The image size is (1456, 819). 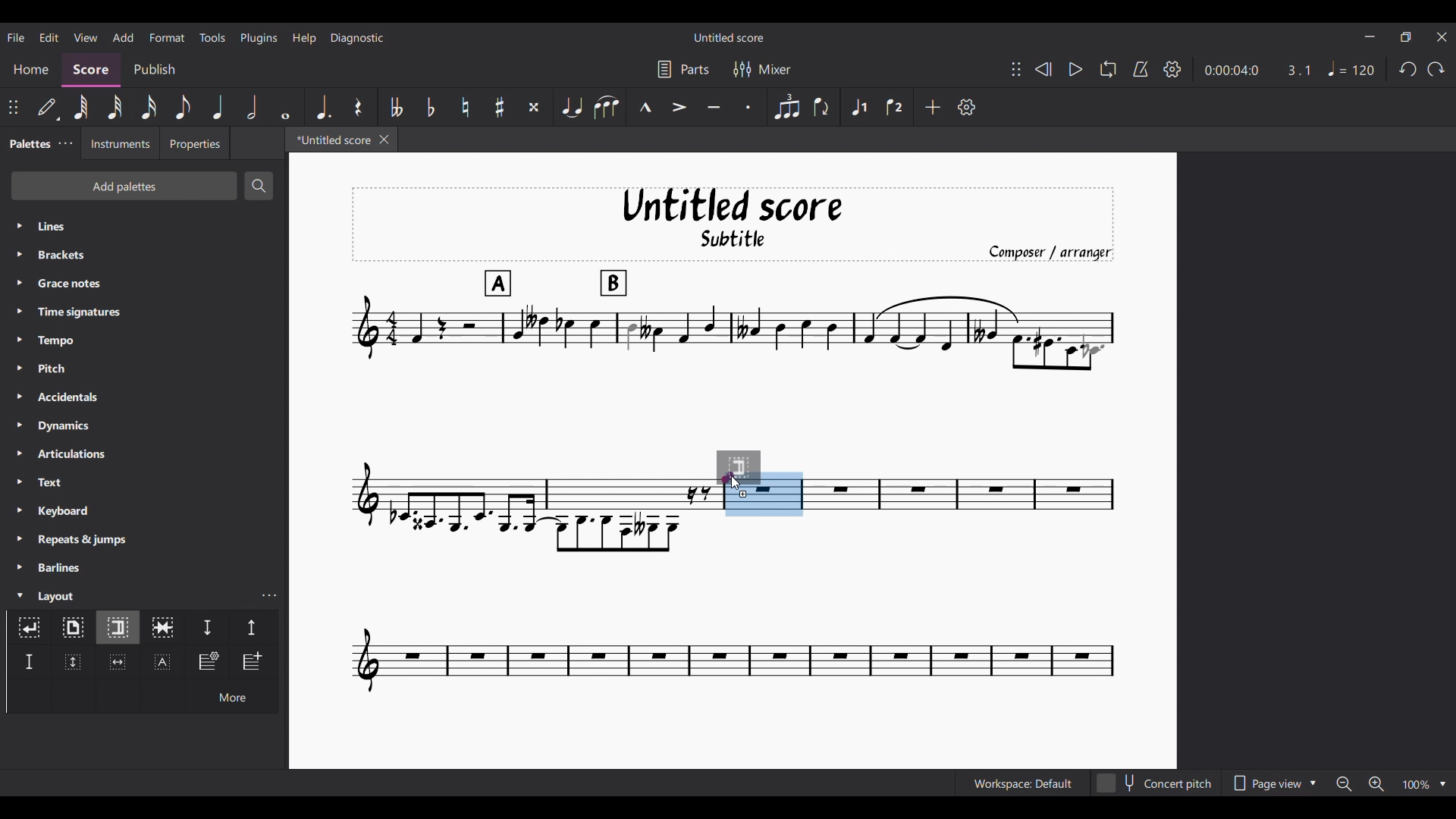 What do you see at coordinates (144, 283) in the screenshot?
I see `Grace notes` at bounding box center [144, 283].